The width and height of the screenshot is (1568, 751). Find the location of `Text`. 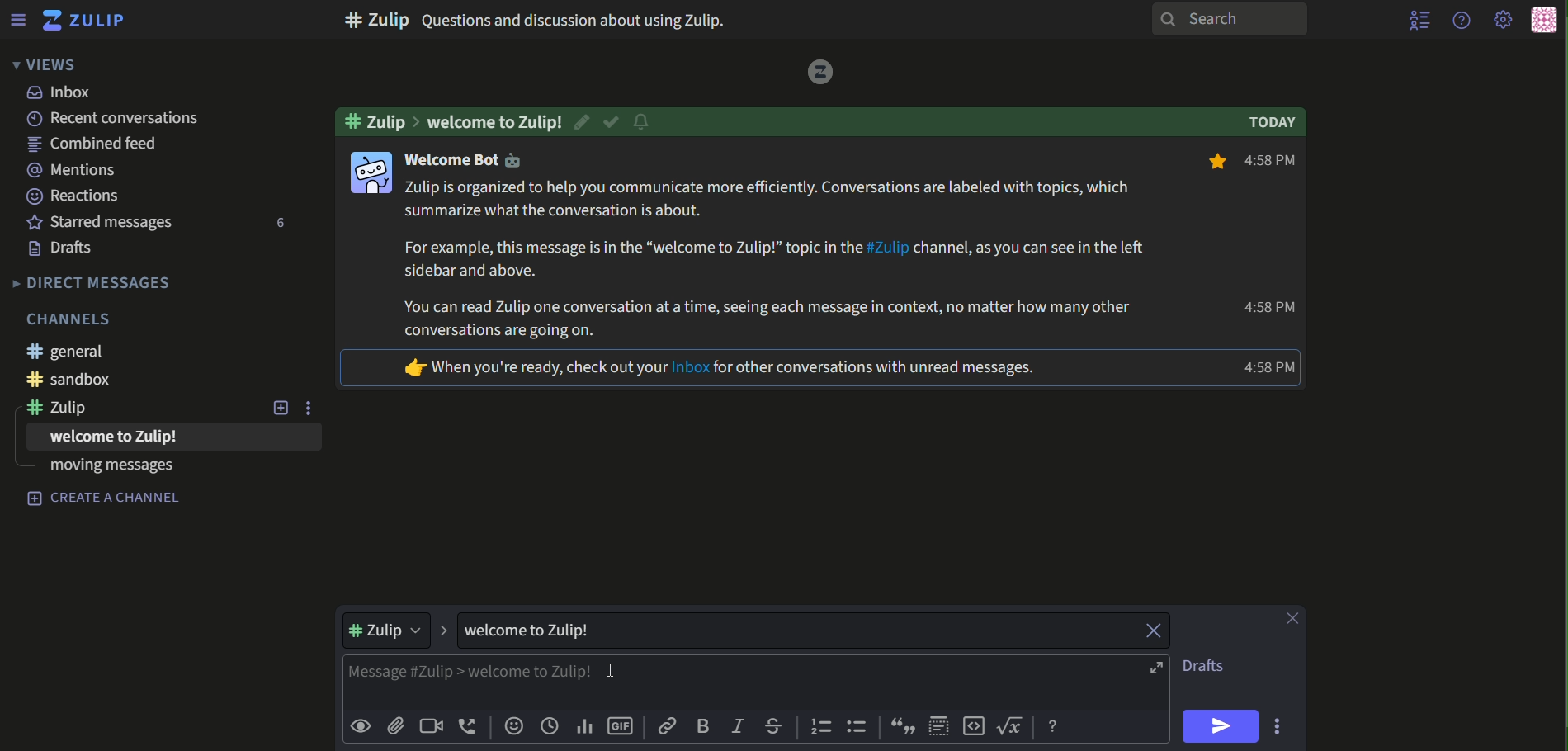

Text is located at coordinates (106, 499).